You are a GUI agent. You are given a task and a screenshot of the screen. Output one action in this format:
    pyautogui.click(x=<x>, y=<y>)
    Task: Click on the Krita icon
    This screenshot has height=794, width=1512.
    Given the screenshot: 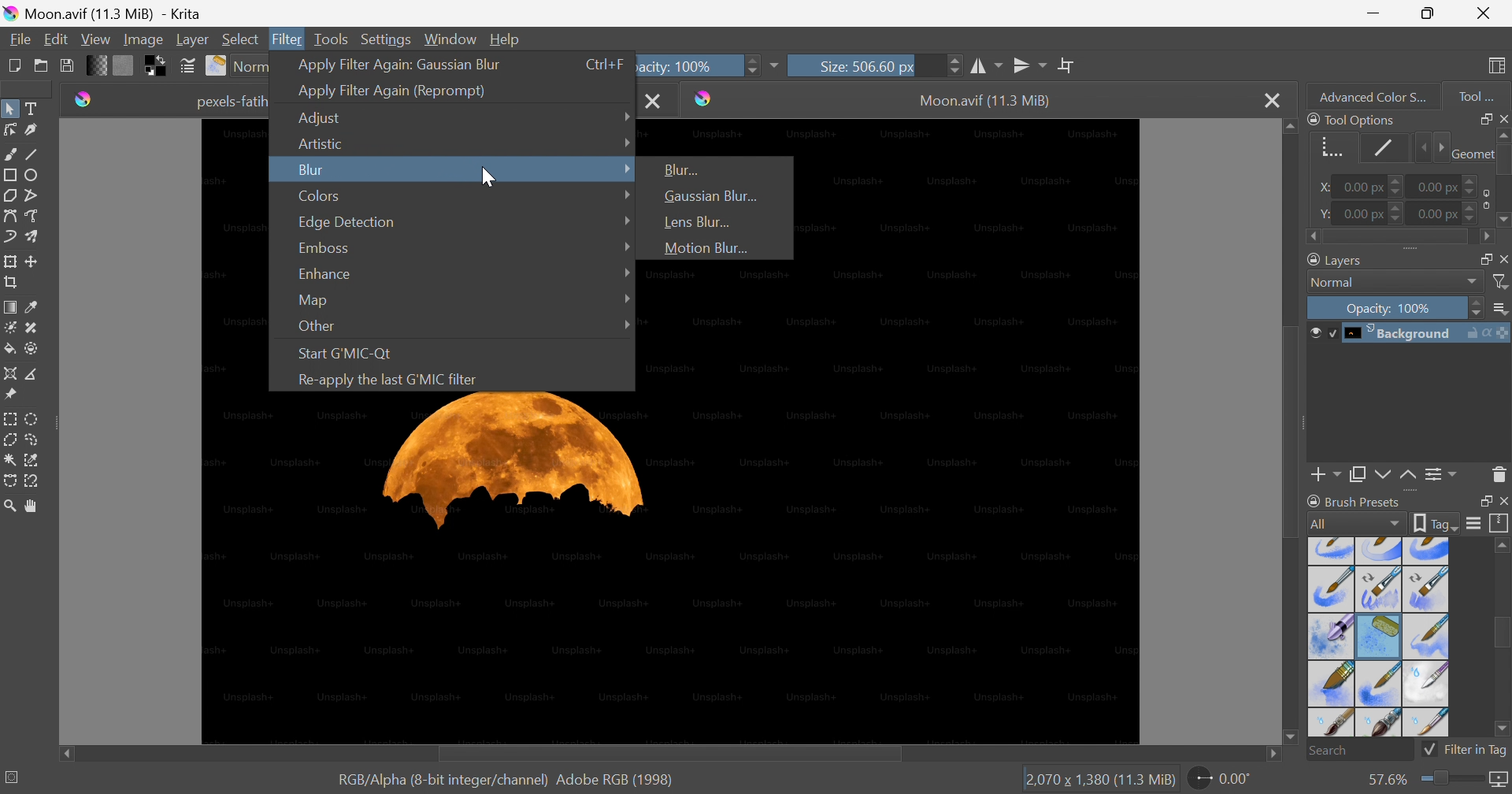 What is the action you would take?
    pyautogui.click(x=707, y=98)
    